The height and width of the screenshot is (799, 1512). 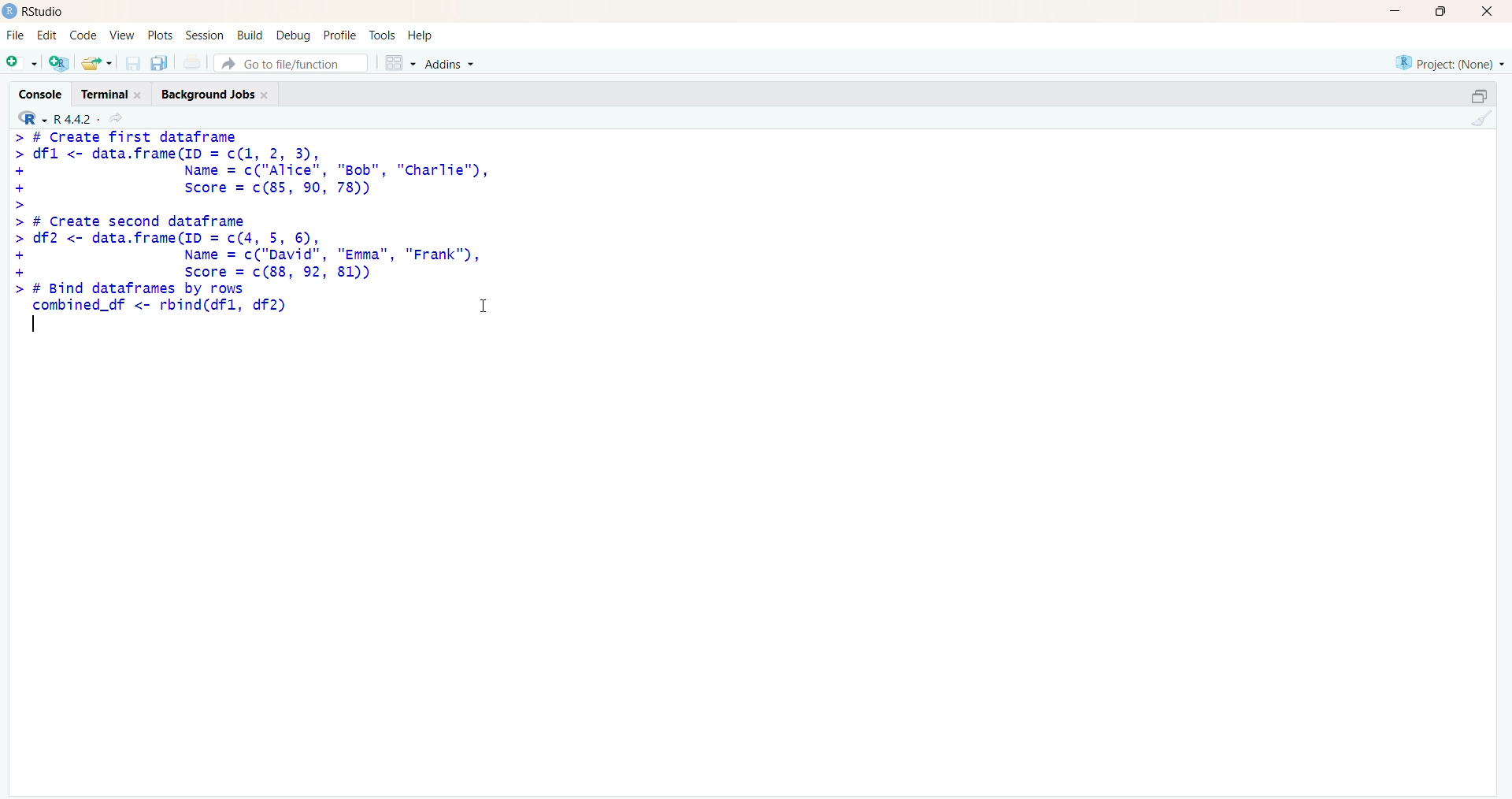 I want to click on Tools, so click(x=382, y=35).